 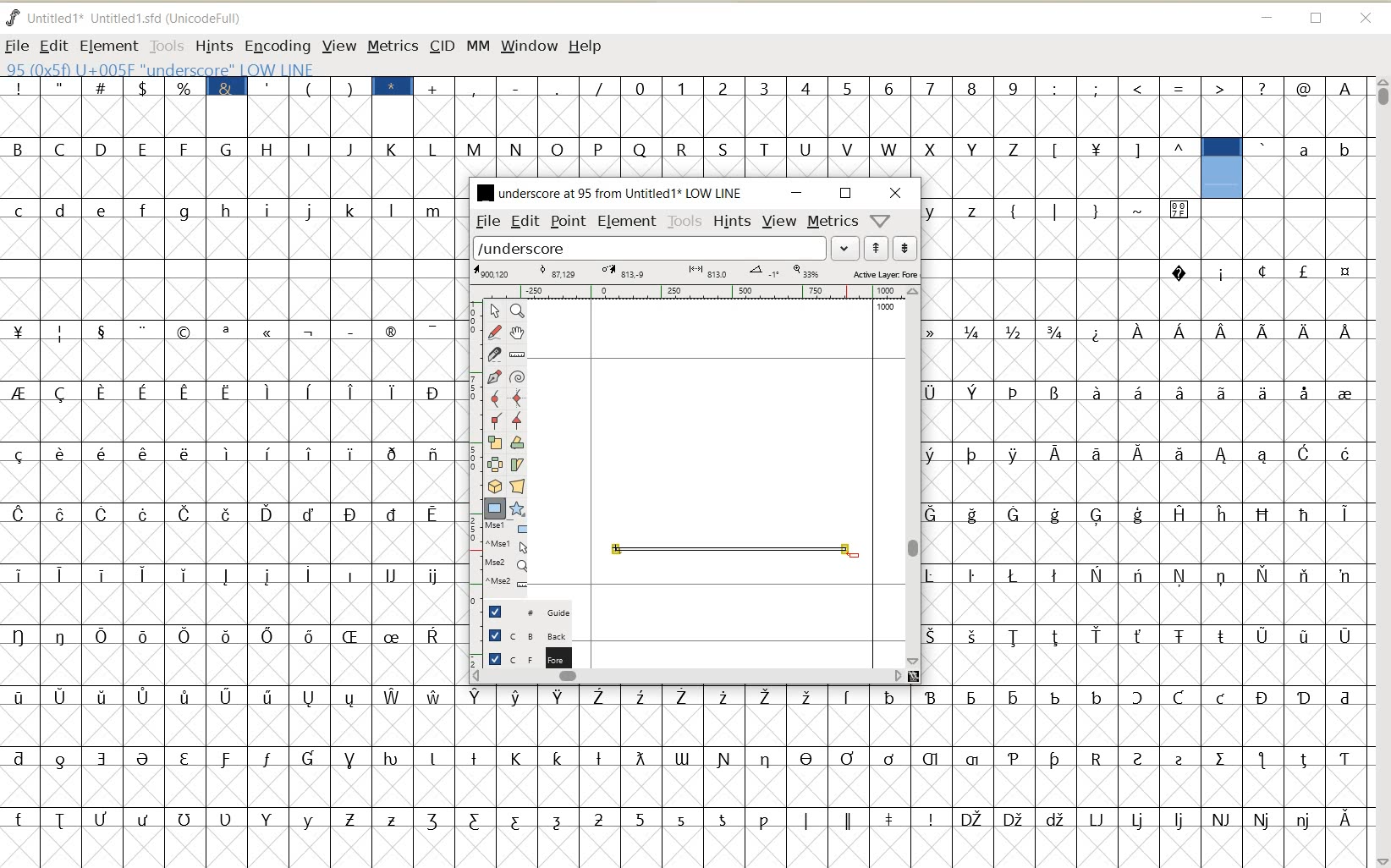 I want to click on change whether spiro is active or not, so click(x=517, y=375).